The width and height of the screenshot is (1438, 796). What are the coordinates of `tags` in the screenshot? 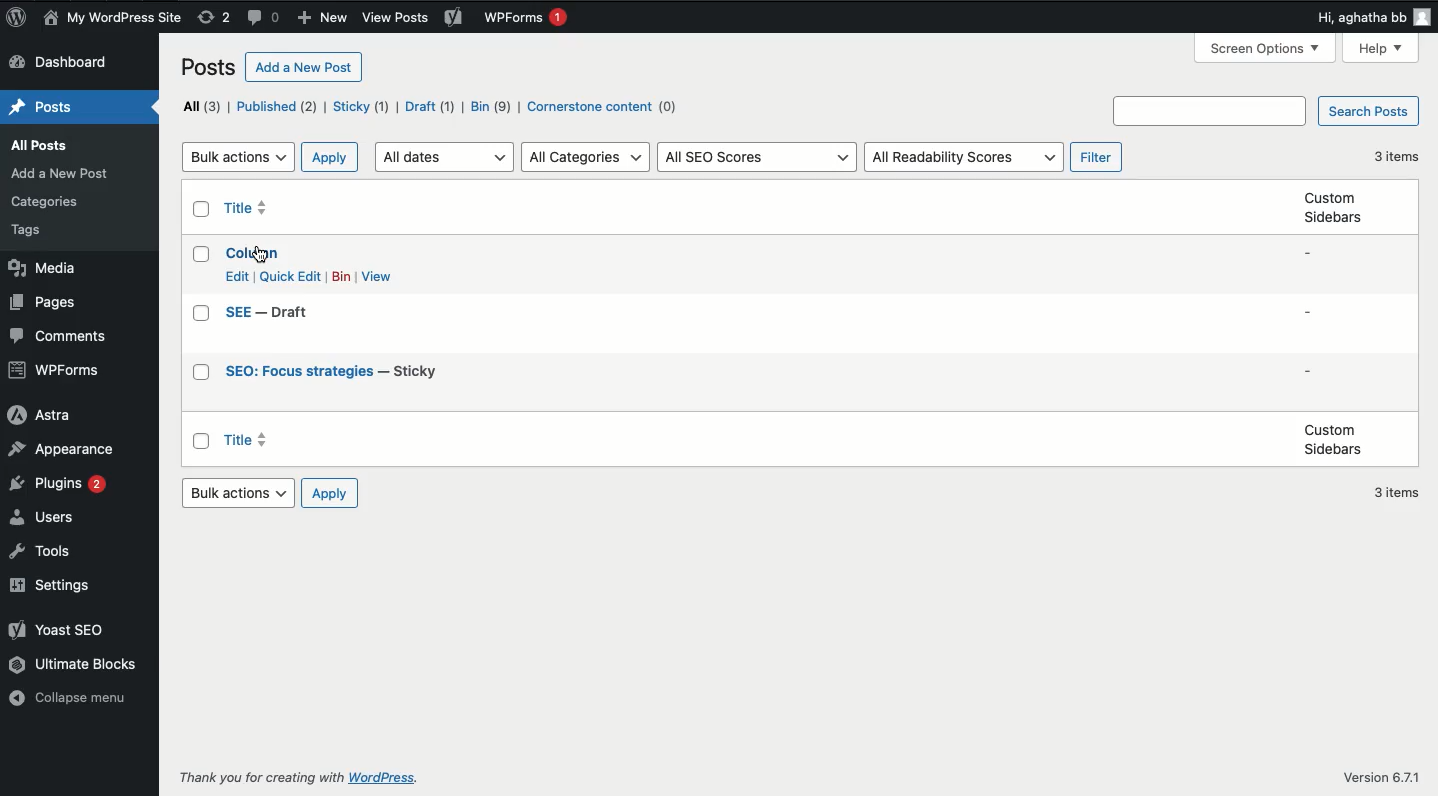 It's located at (34, 231).